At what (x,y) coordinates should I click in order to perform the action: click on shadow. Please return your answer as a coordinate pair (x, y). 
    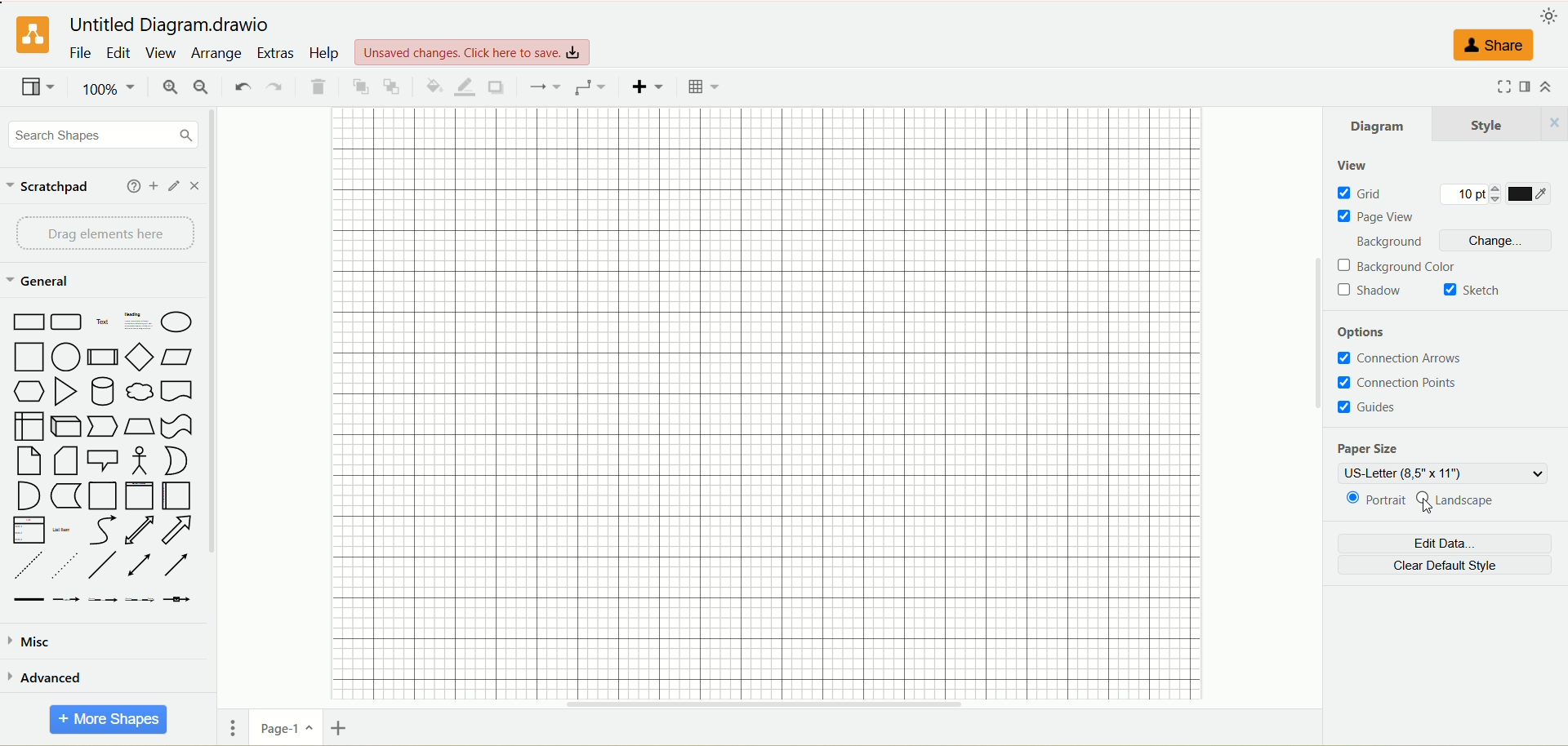
    Looking at the image, I should click on (497, 87).